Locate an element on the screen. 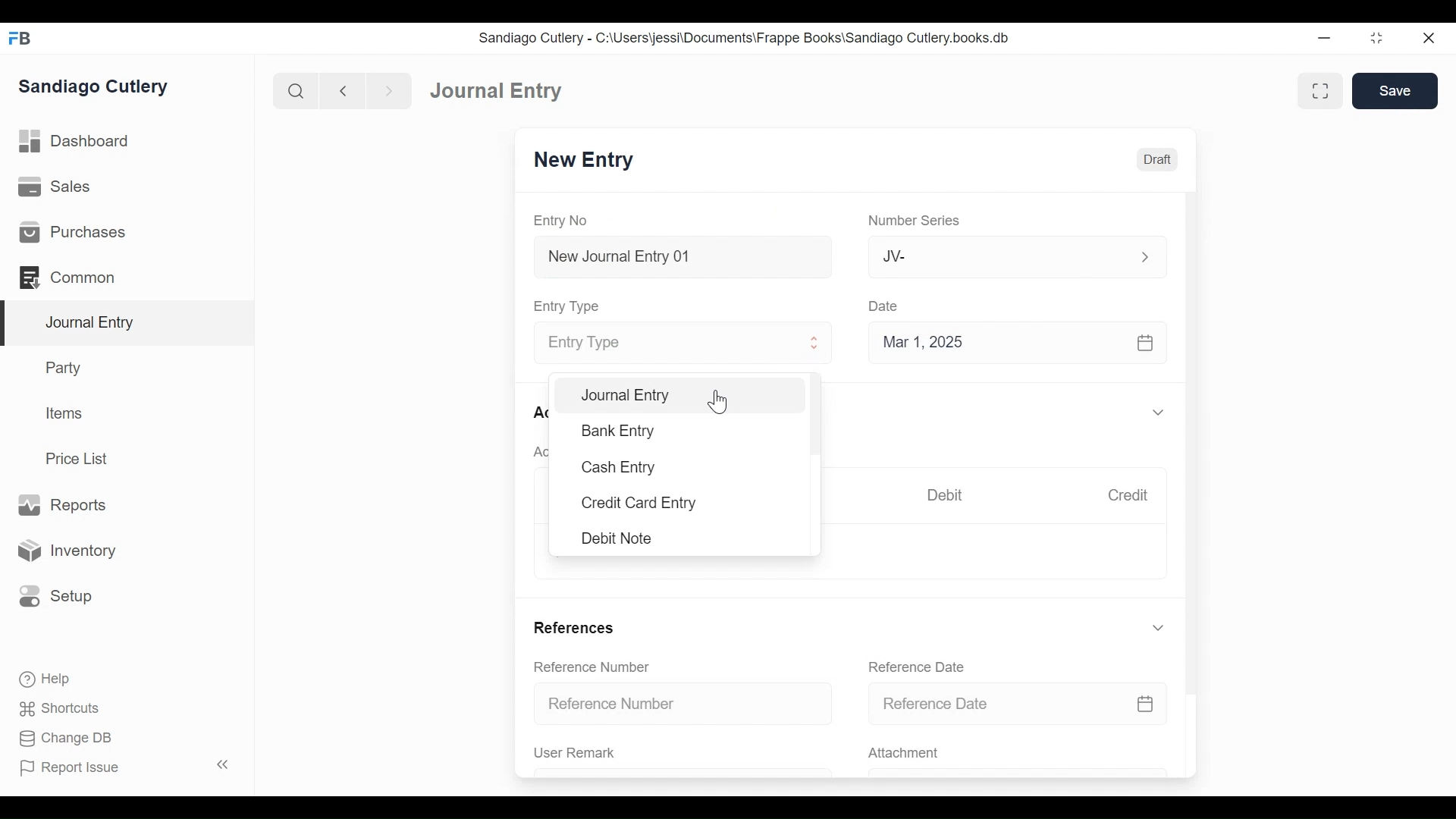 The width and height of the screenshot is (1456, 819). Debit Note is located at coordinates (623, 538).